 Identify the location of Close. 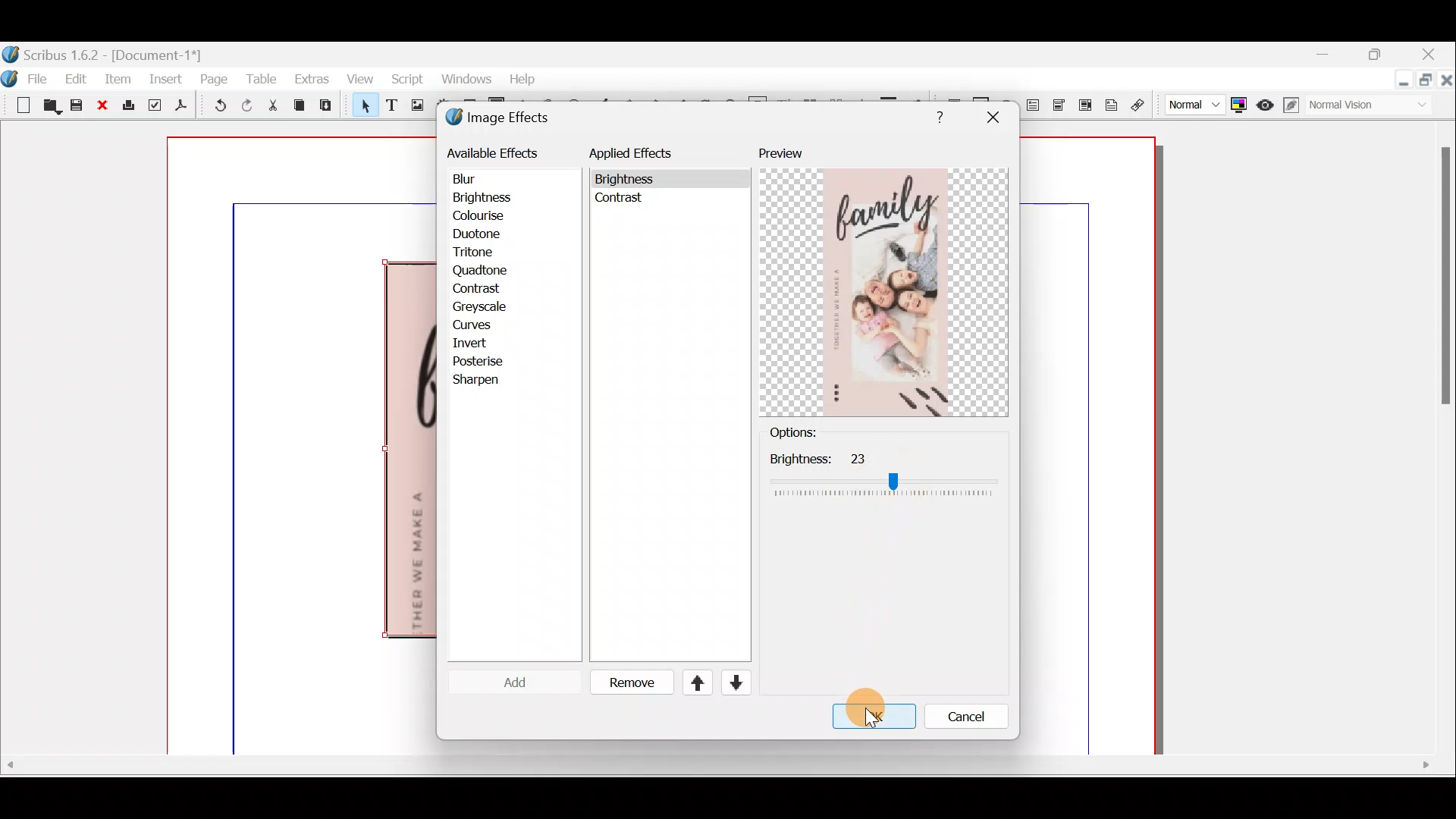
(1447, 83).